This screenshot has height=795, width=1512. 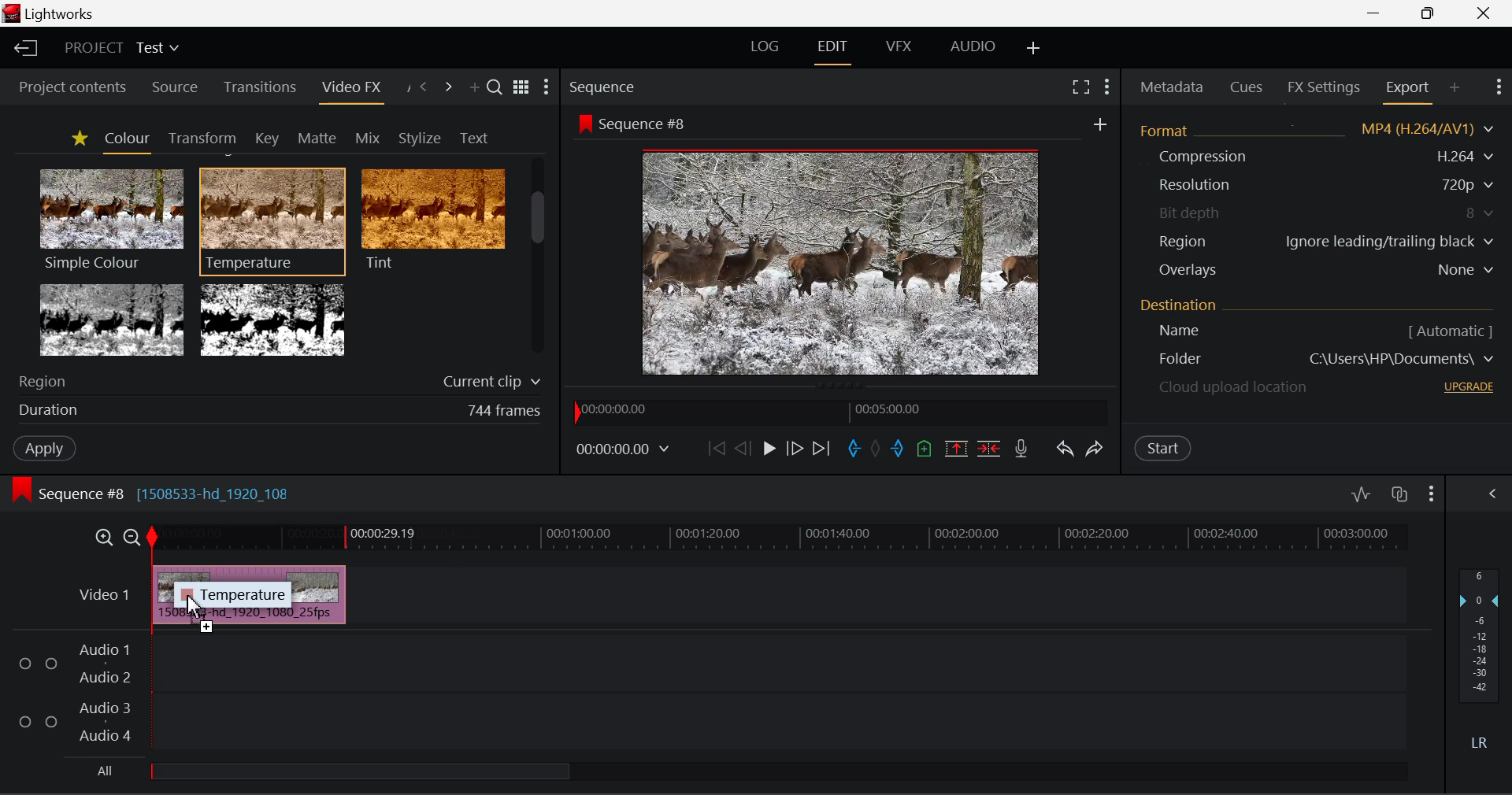 I want to click on C\Users\HP\Documents\ , so click(x=1402, y=358).